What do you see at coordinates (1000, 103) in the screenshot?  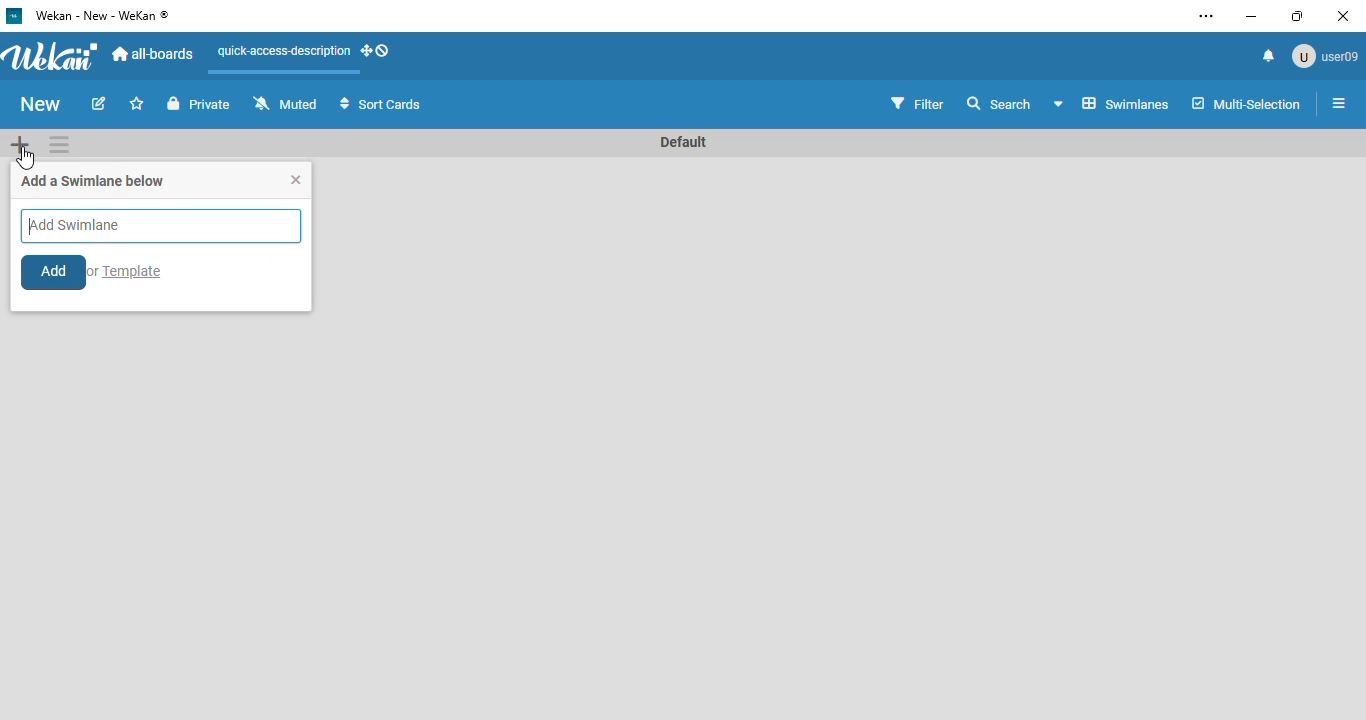 I see `search` at bounding box center [1000, 103].